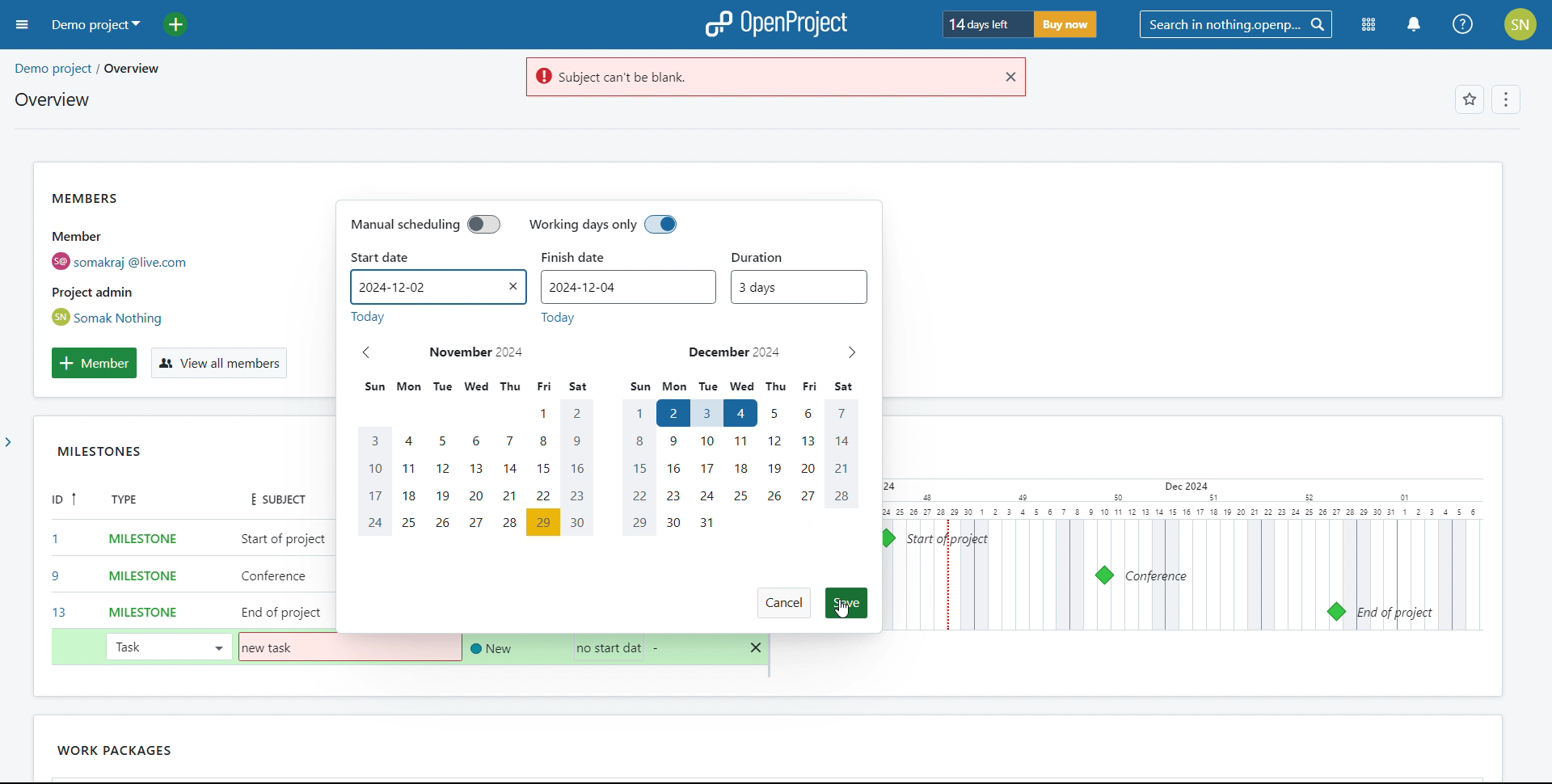 This screenshot has height=784, width=1552. I want to click on work packages, so click(124, 751).